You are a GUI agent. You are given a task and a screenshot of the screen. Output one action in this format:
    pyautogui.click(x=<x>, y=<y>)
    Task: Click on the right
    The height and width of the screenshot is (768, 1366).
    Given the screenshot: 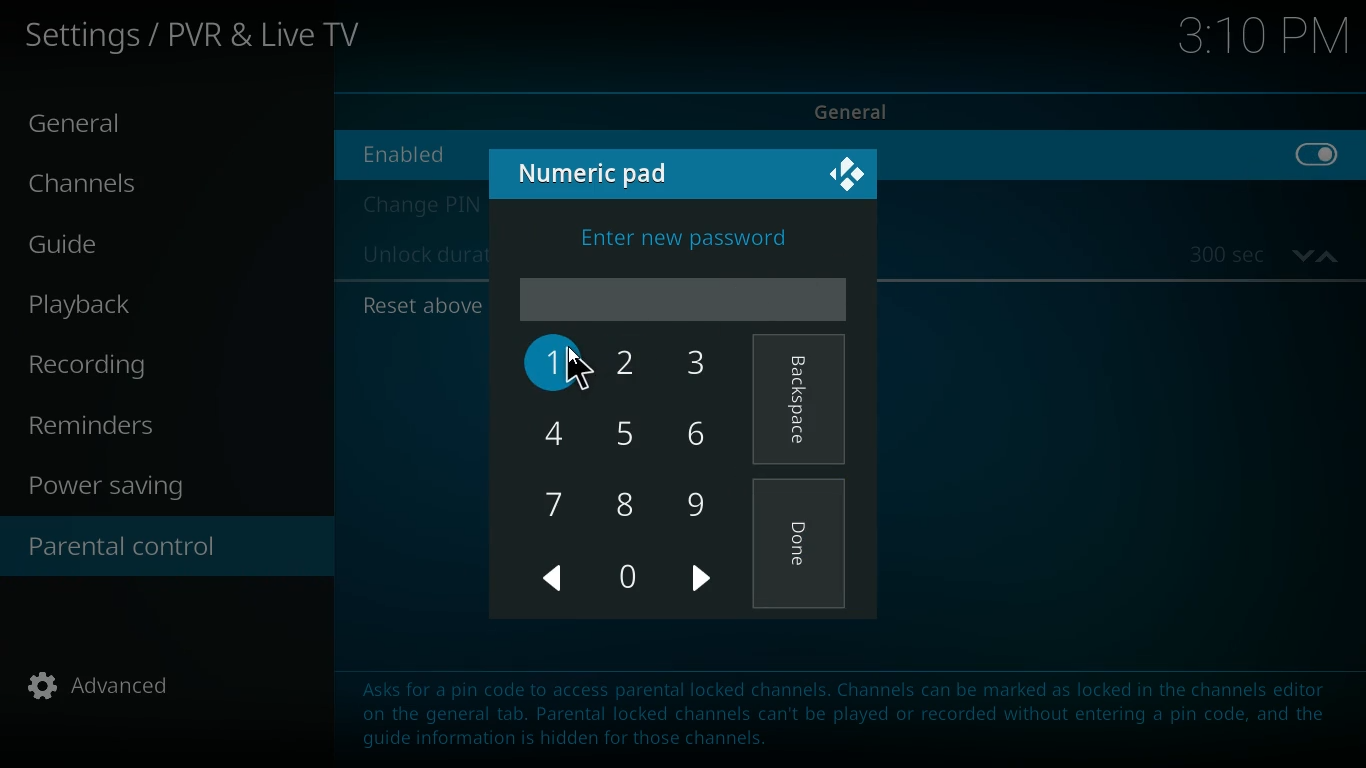 What is the action you would take?
    pyautogui.click(x=704, y=582)
    